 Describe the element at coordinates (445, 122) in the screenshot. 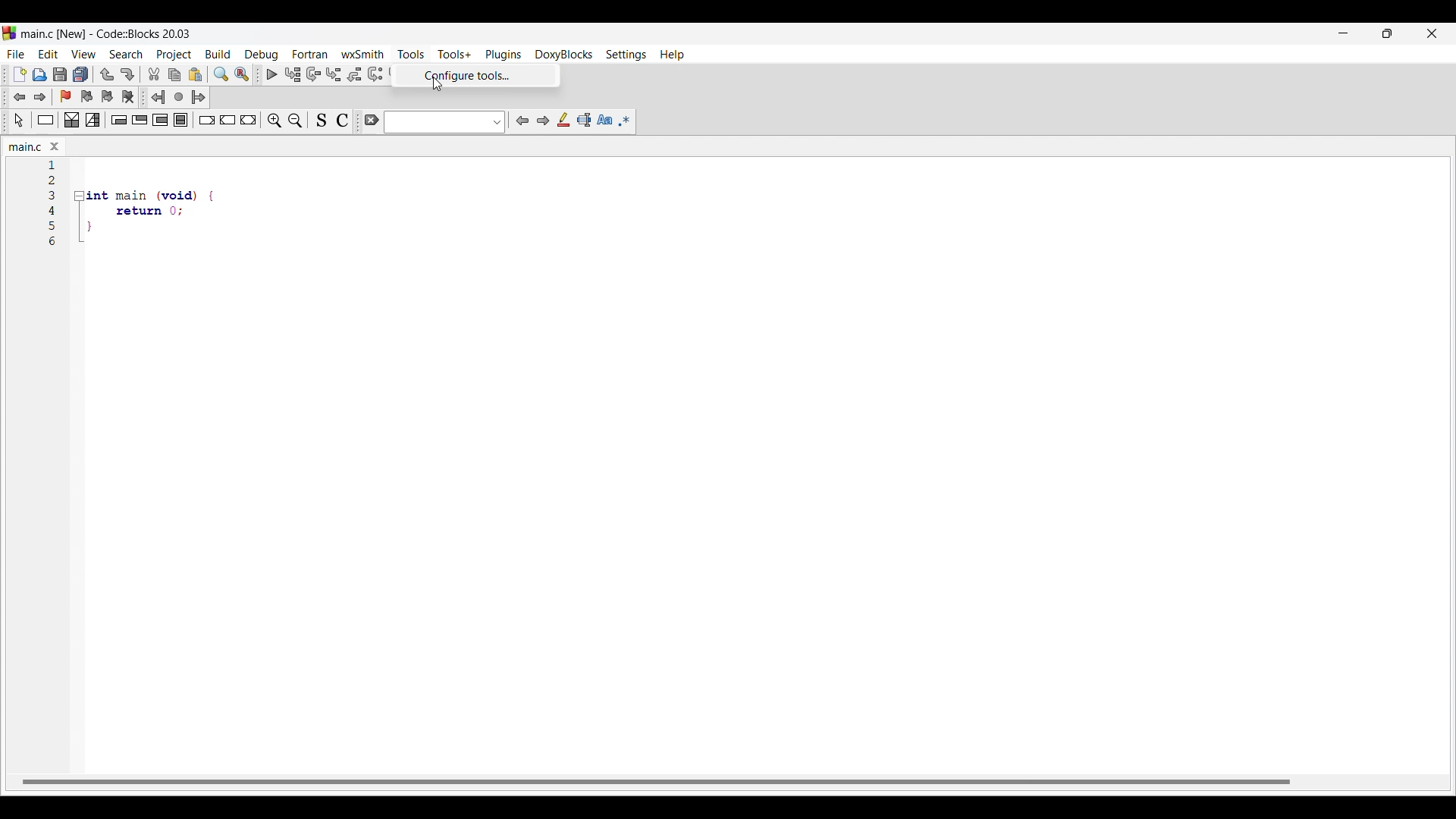

I see `Text box and text box options` at that location.